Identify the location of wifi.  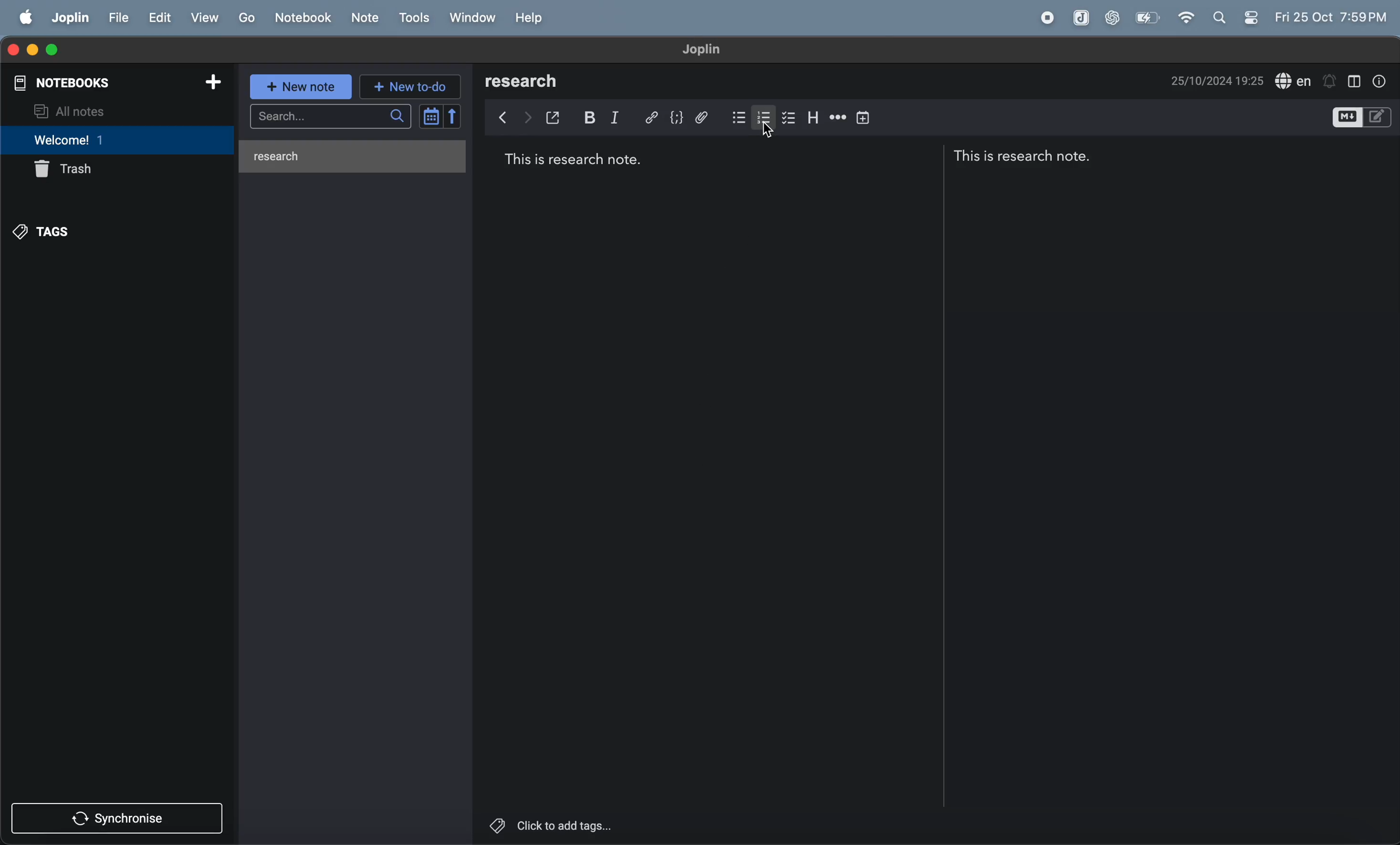
(1186, 17).